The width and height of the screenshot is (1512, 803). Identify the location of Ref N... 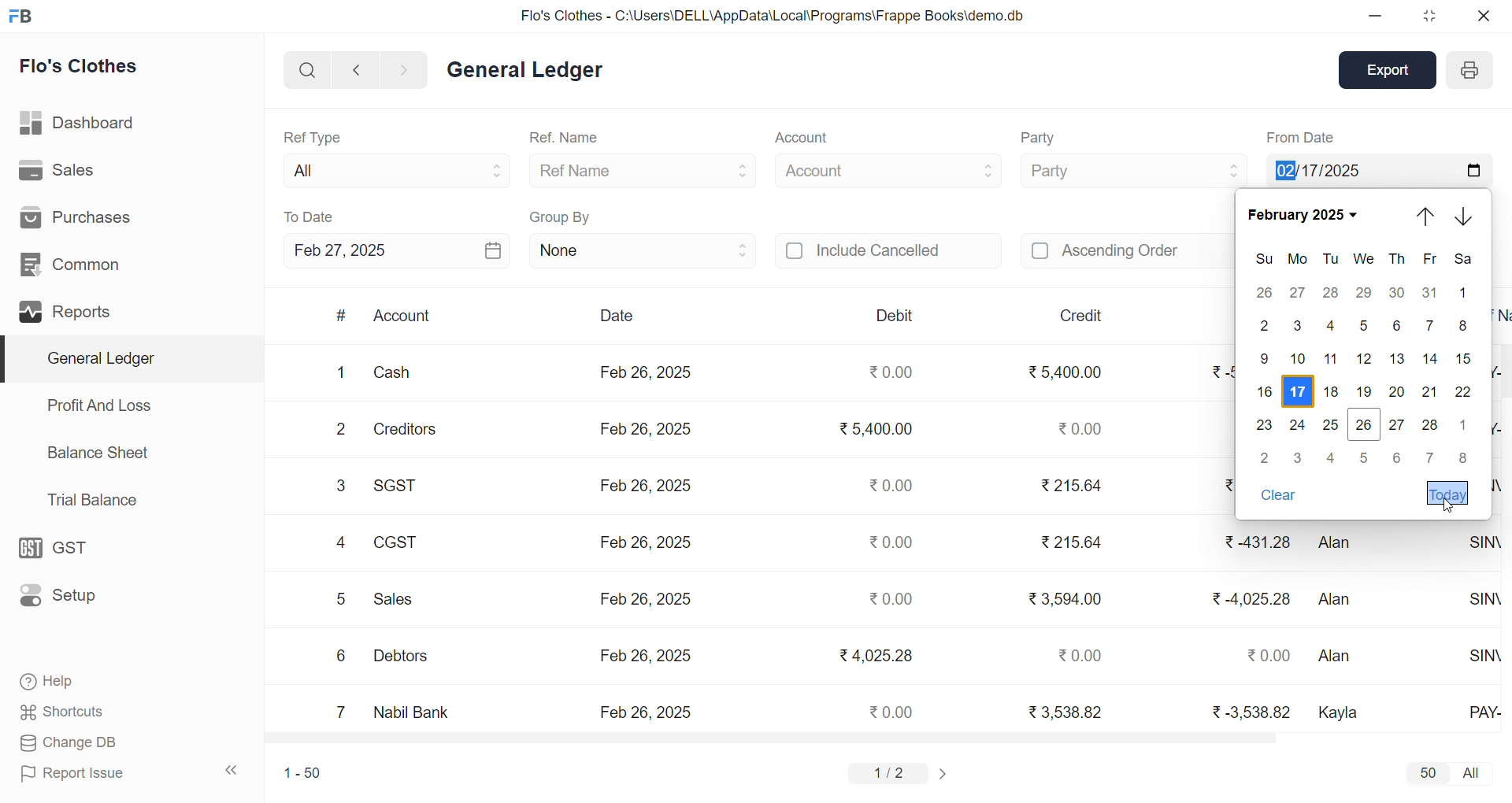
(1499, 314).